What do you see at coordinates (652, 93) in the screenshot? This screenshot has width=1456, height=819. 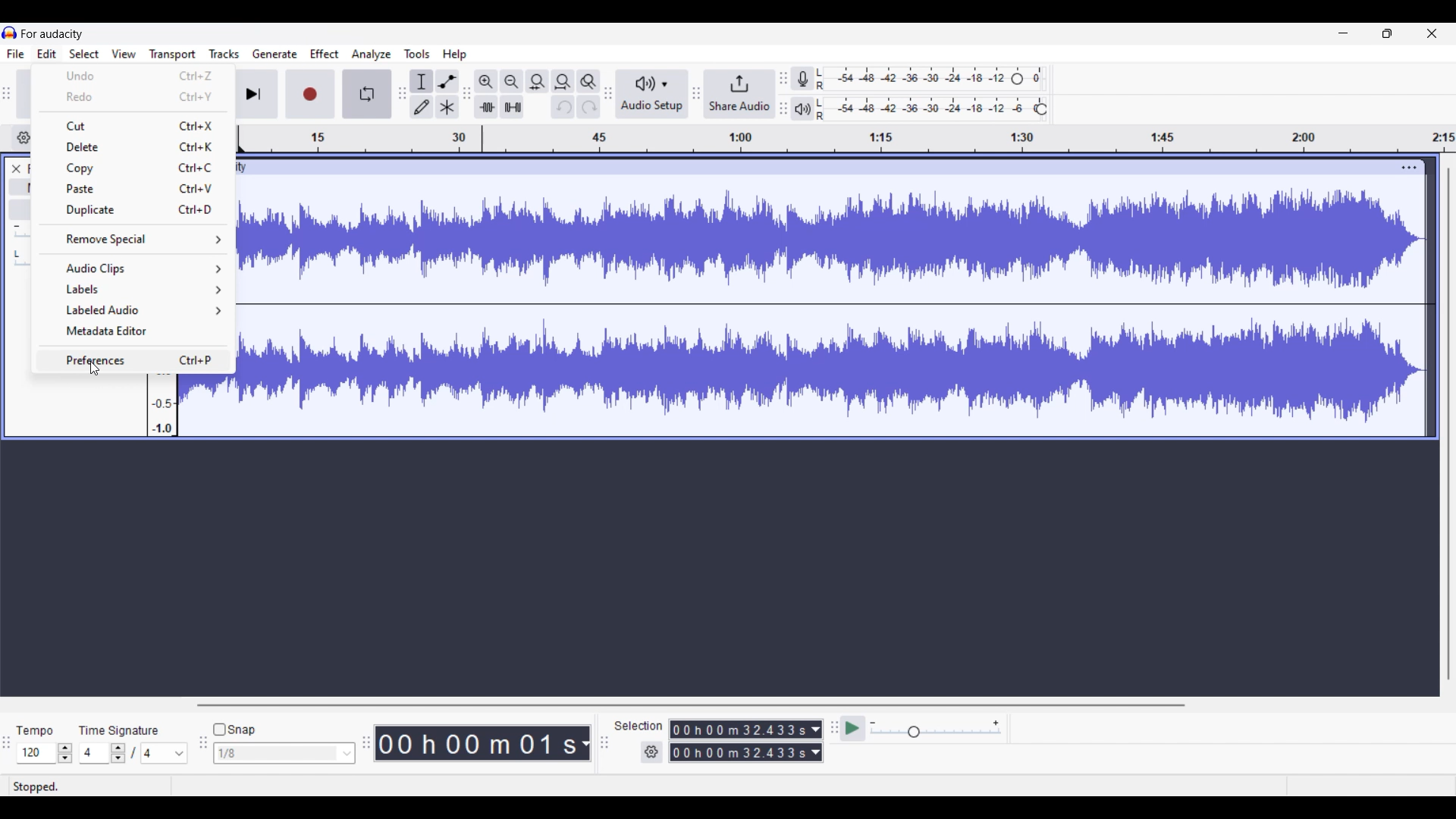 I see `Audio setup` at bounding box center [652, 93].